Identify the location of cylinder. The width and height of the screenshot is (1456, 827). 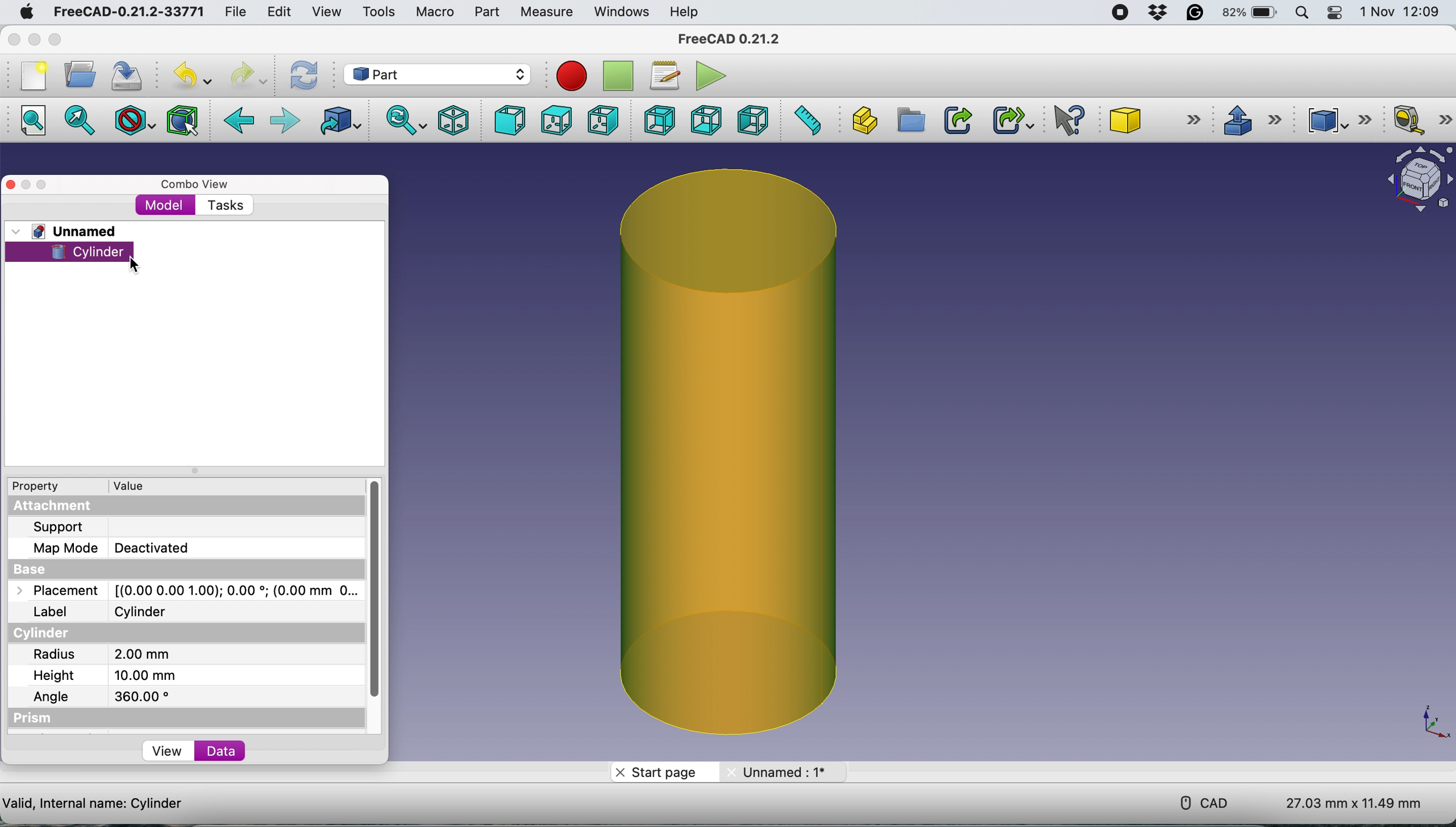
(47, 634).